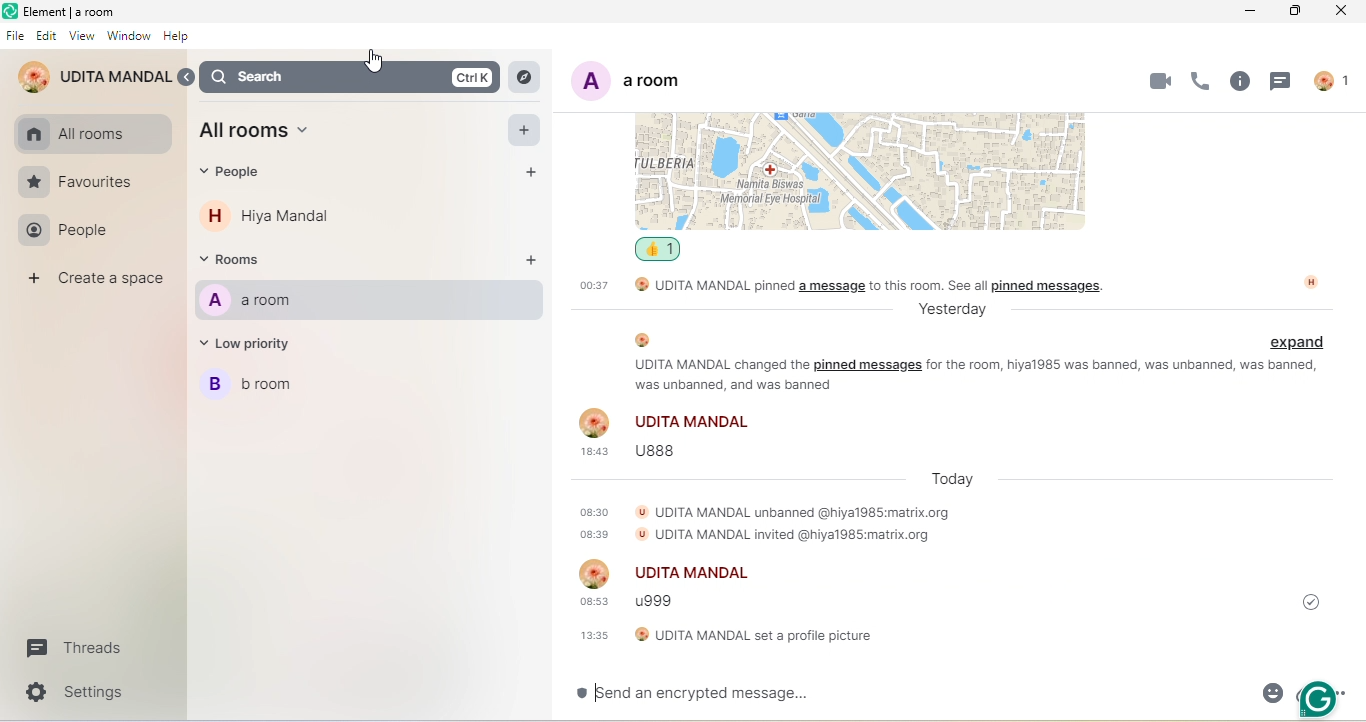 The image size is (1366, 722). What do you see at coordinates (245, 173) in the screenshot?
I see `people` at bounding box center [245, 173].